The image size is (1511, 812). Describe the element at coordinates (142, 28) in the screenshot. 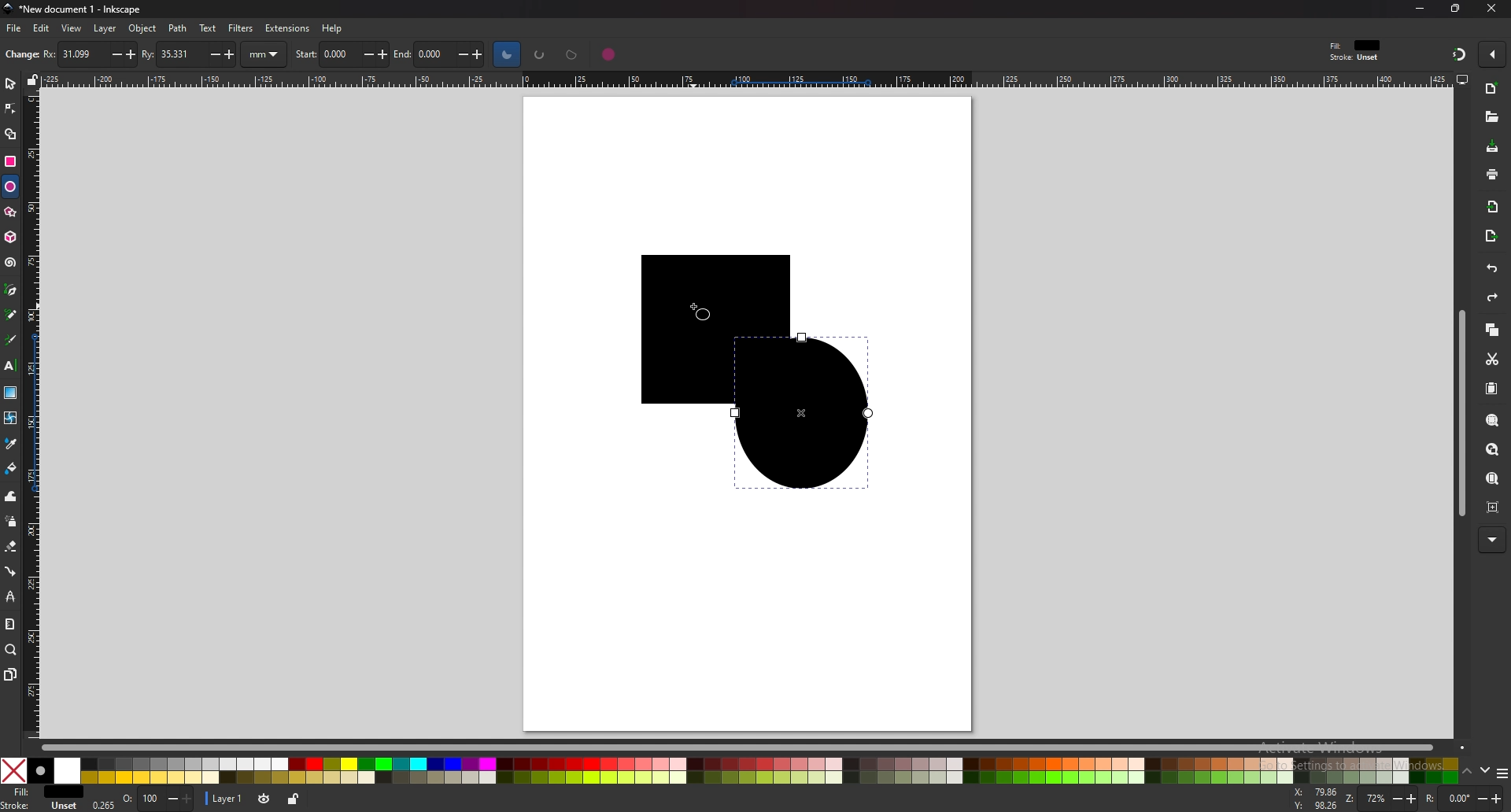

I see `object` at that location.